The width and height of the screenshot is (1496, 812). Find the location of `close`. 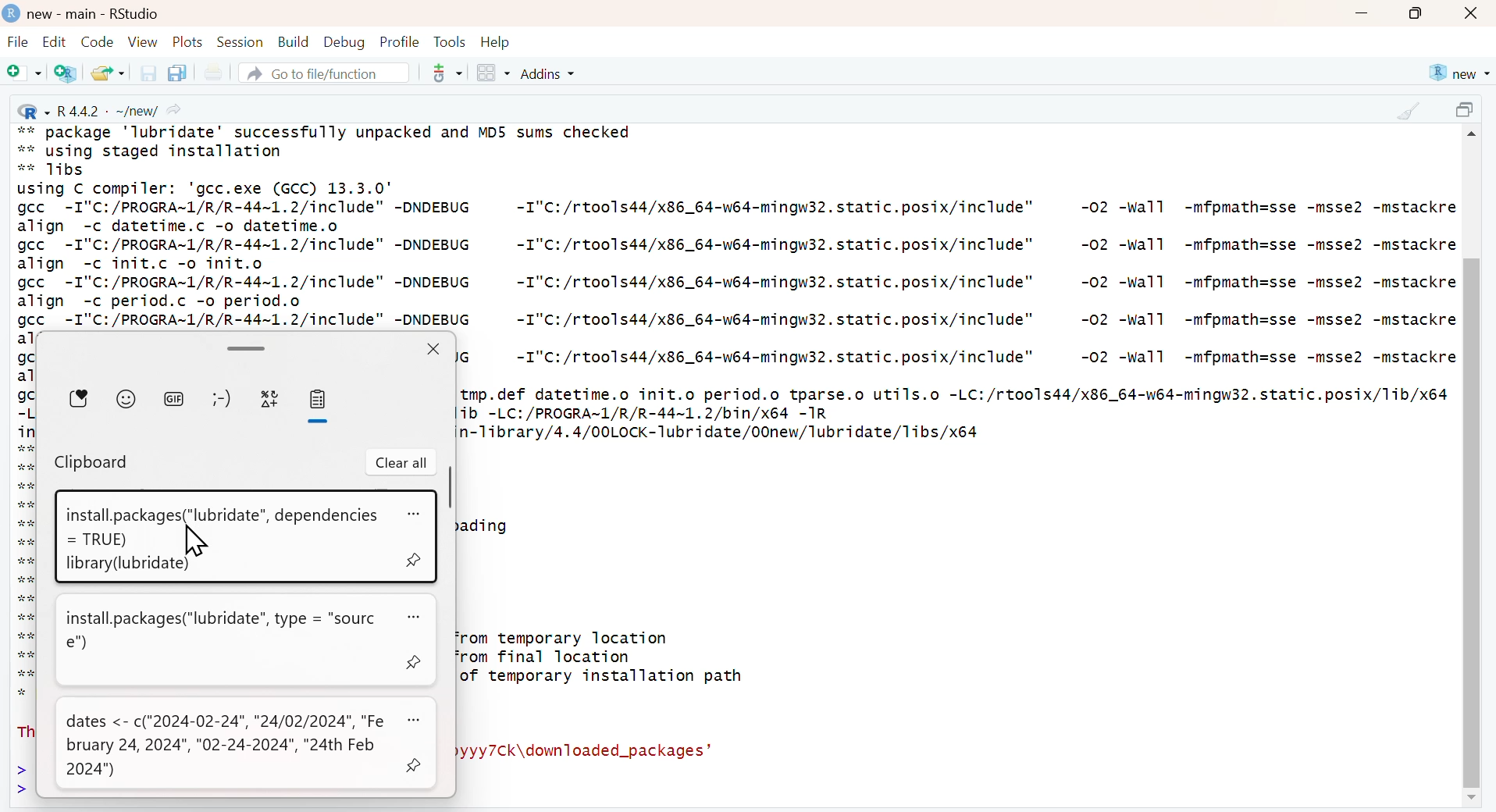

close is located at coordinates (433, 348).